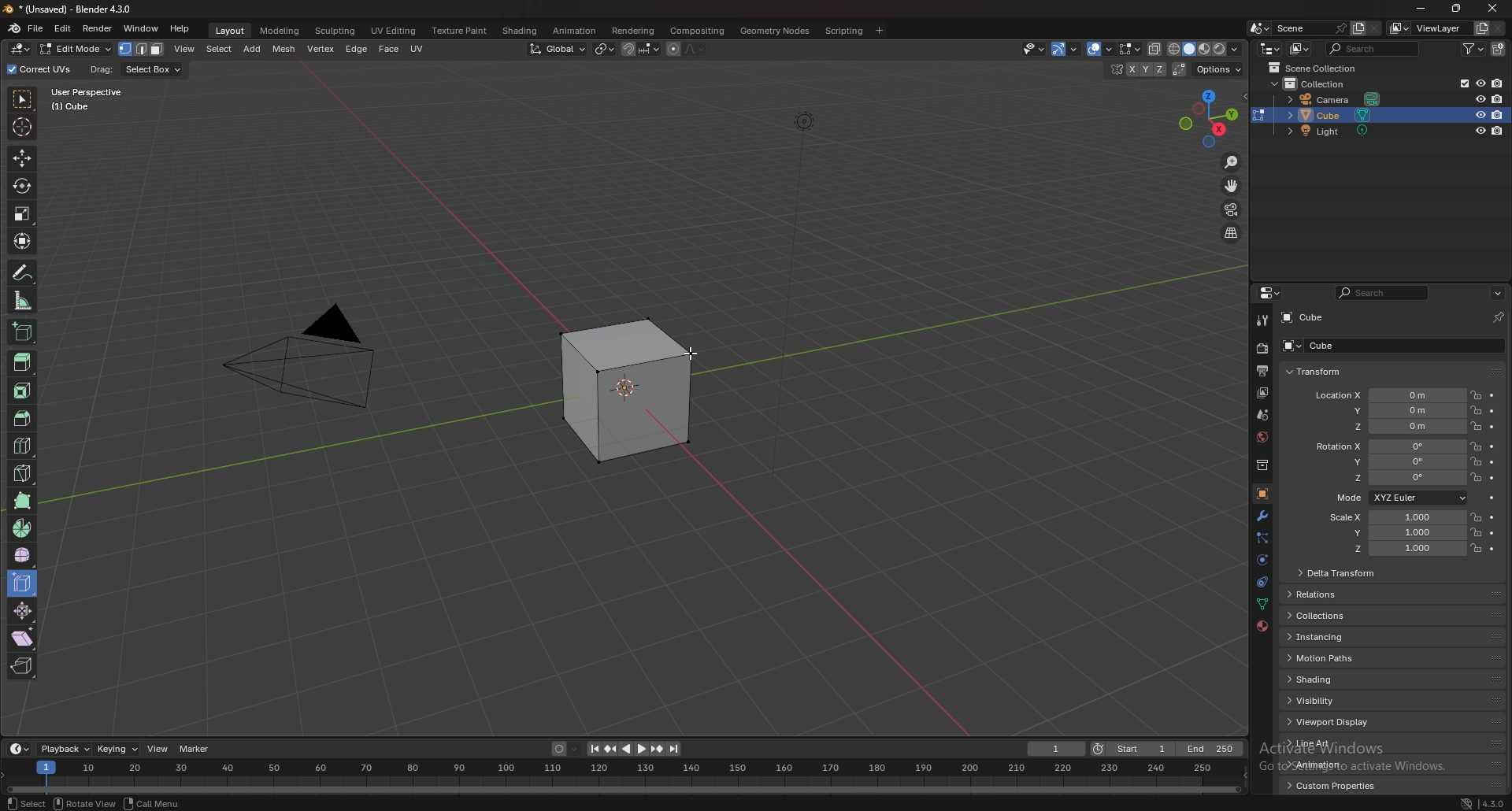 Image resolution: width=1512 pixels, height=811 pixels. I want to click on view layer, so click(1261, 393).